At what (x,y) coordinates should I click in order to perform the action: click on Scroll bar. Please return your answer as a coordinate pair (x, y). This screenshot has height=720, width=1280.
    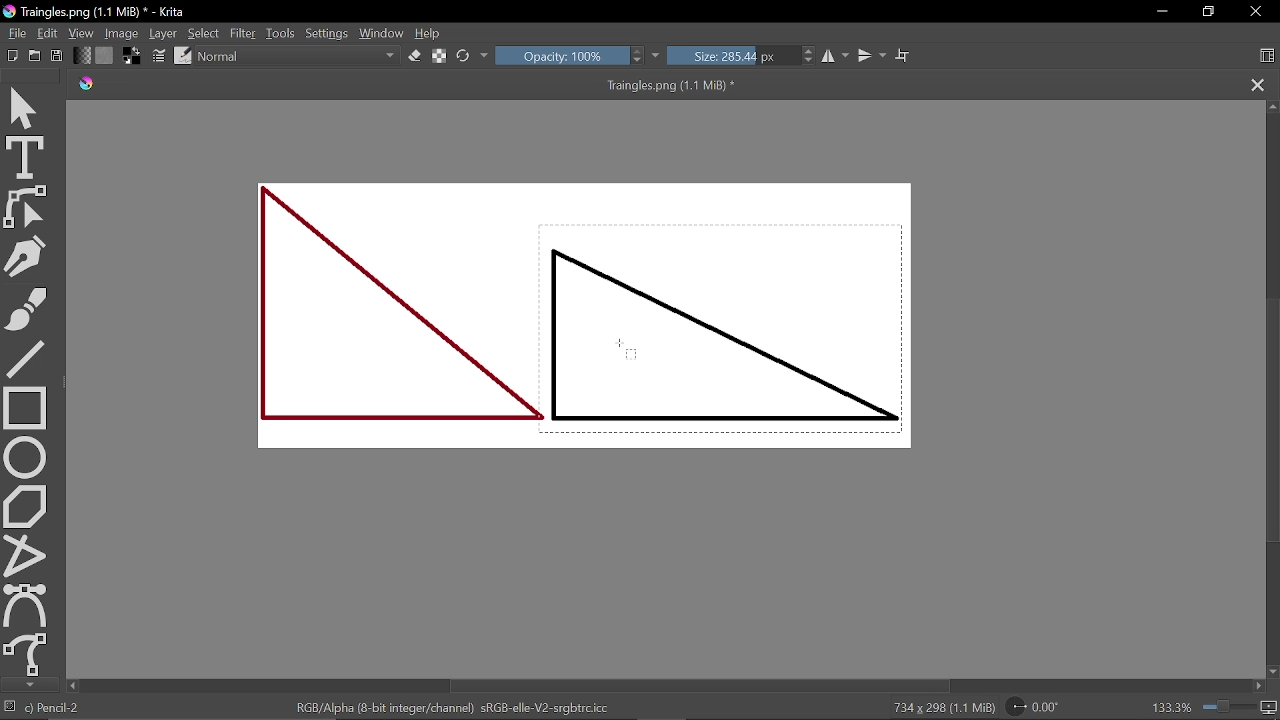
    Looking at the image, I should click on (661, 686).